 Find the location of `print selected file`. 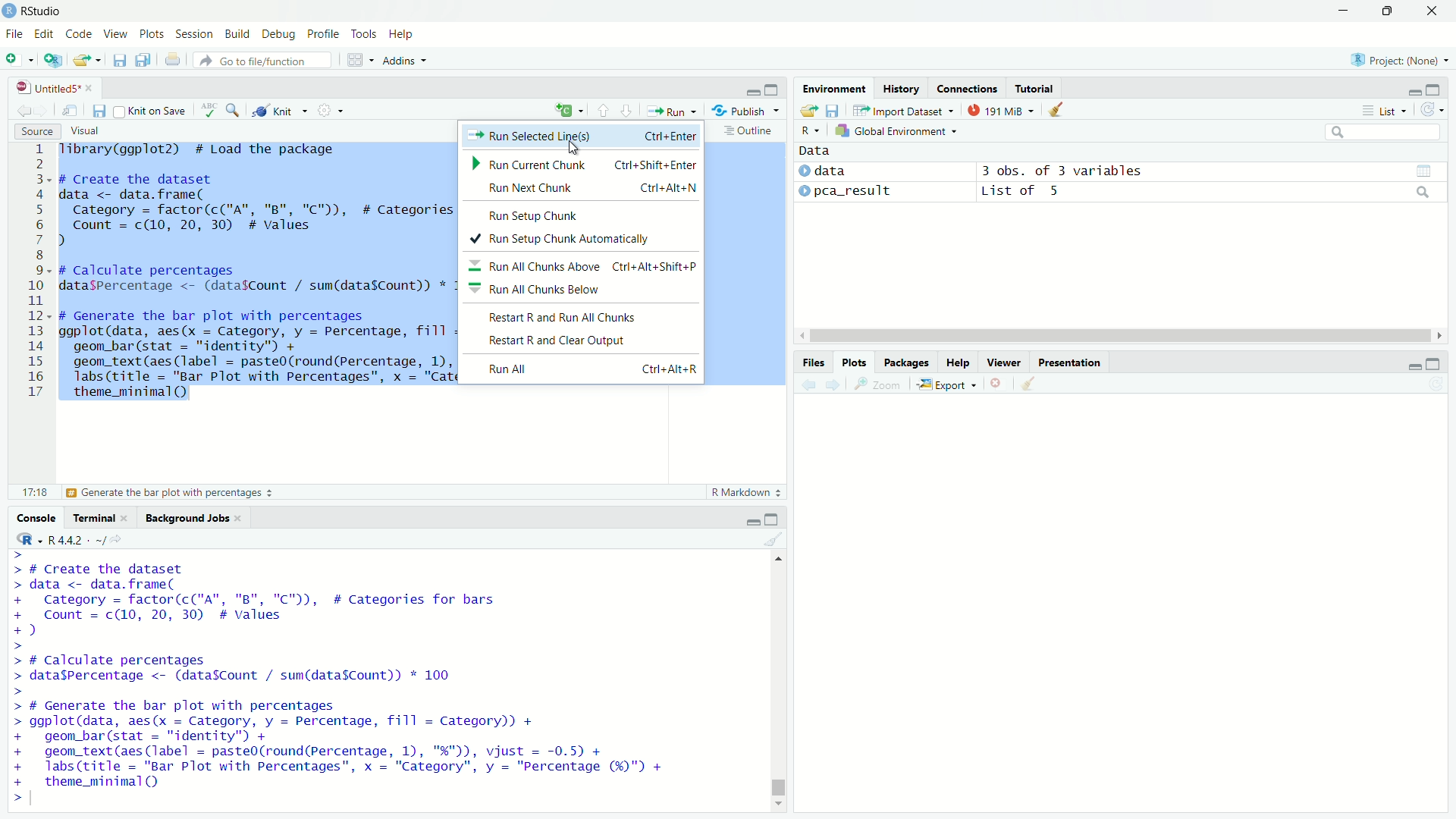

print selected file is located at coordinates (173, 59).